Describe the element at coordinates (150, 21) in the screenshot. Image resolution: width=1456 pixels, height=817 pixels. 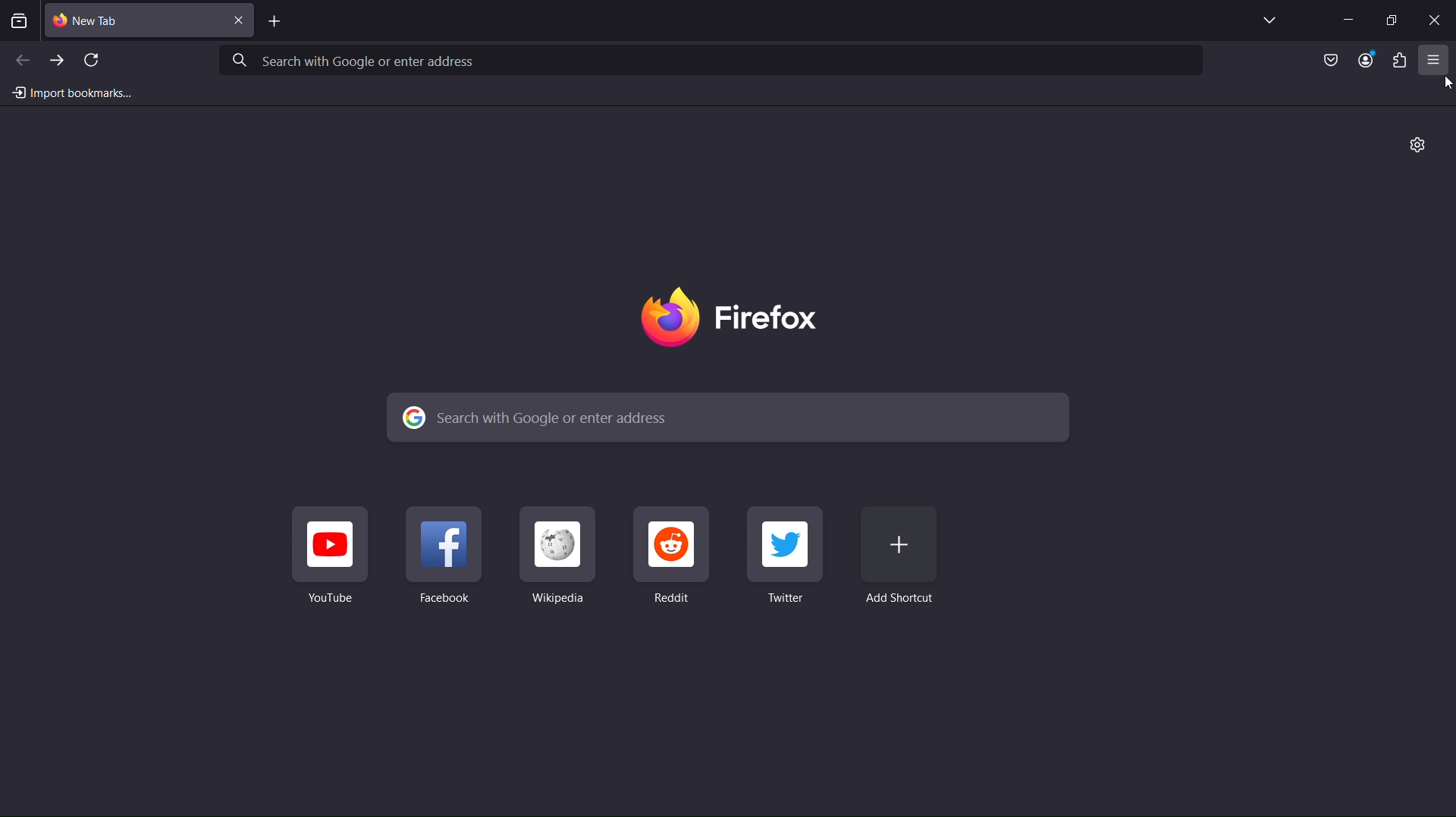
I see `New Tab` at that location.